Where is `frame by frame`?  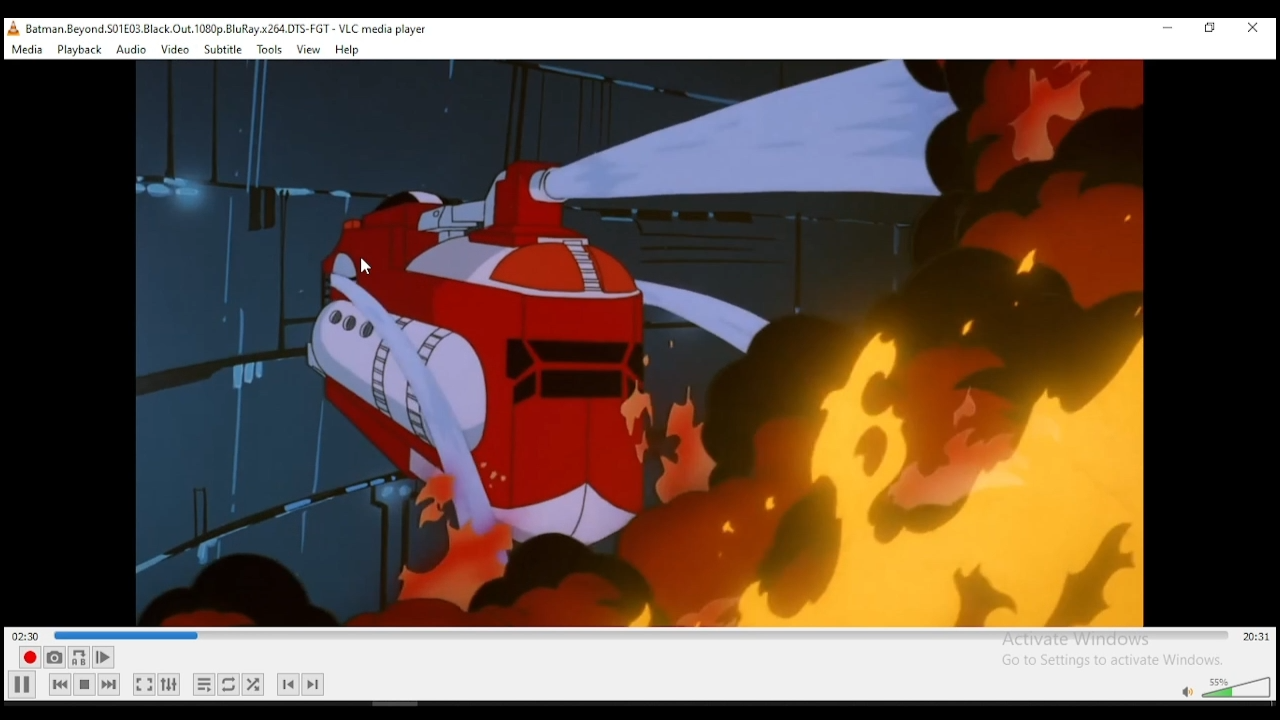
frame by frame is located at coordinates (104, 658).